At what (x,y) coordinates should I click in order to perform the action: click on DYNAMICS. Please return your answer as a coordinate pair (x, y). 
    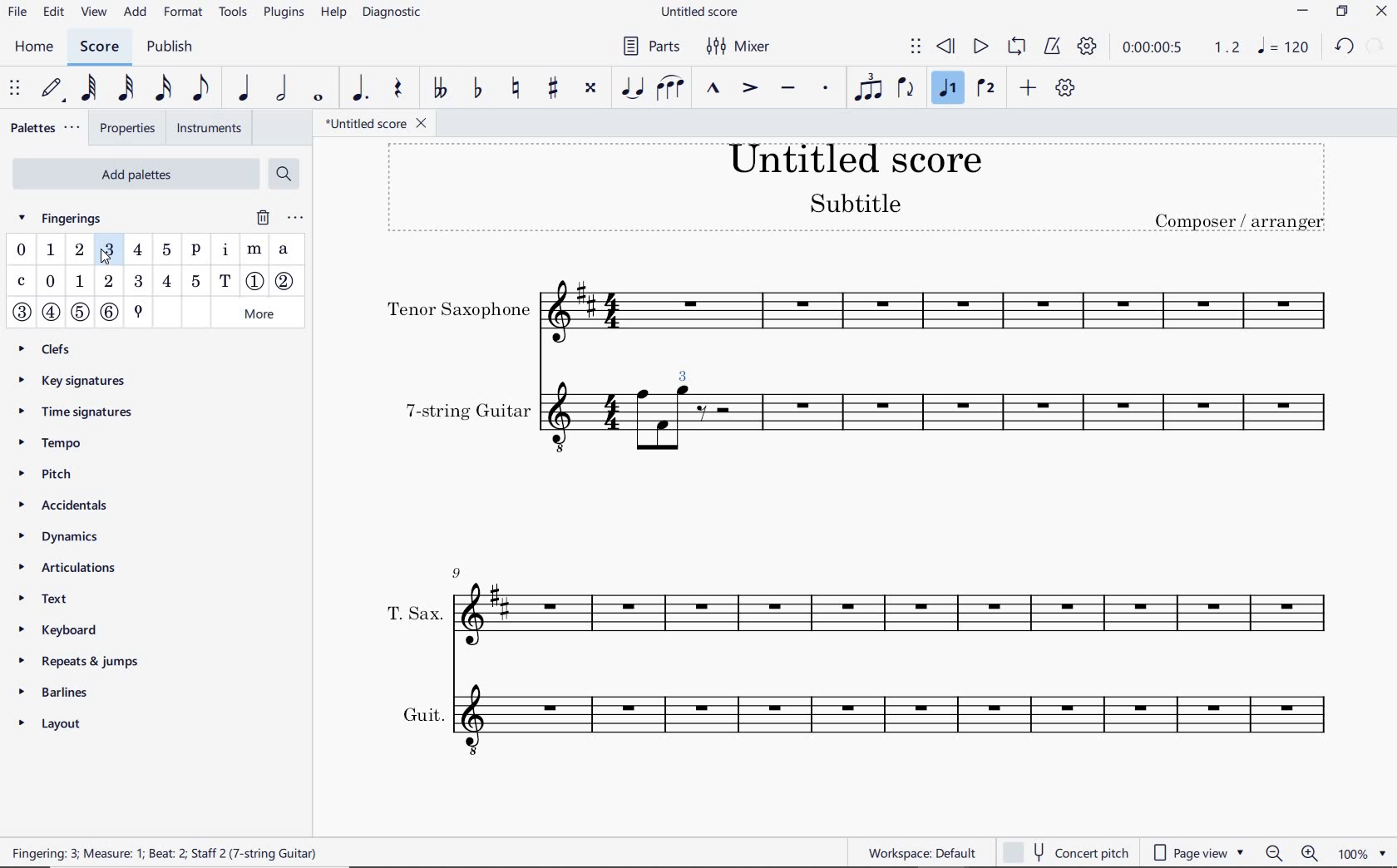
    Looking at the image, I should click on (67, 538).